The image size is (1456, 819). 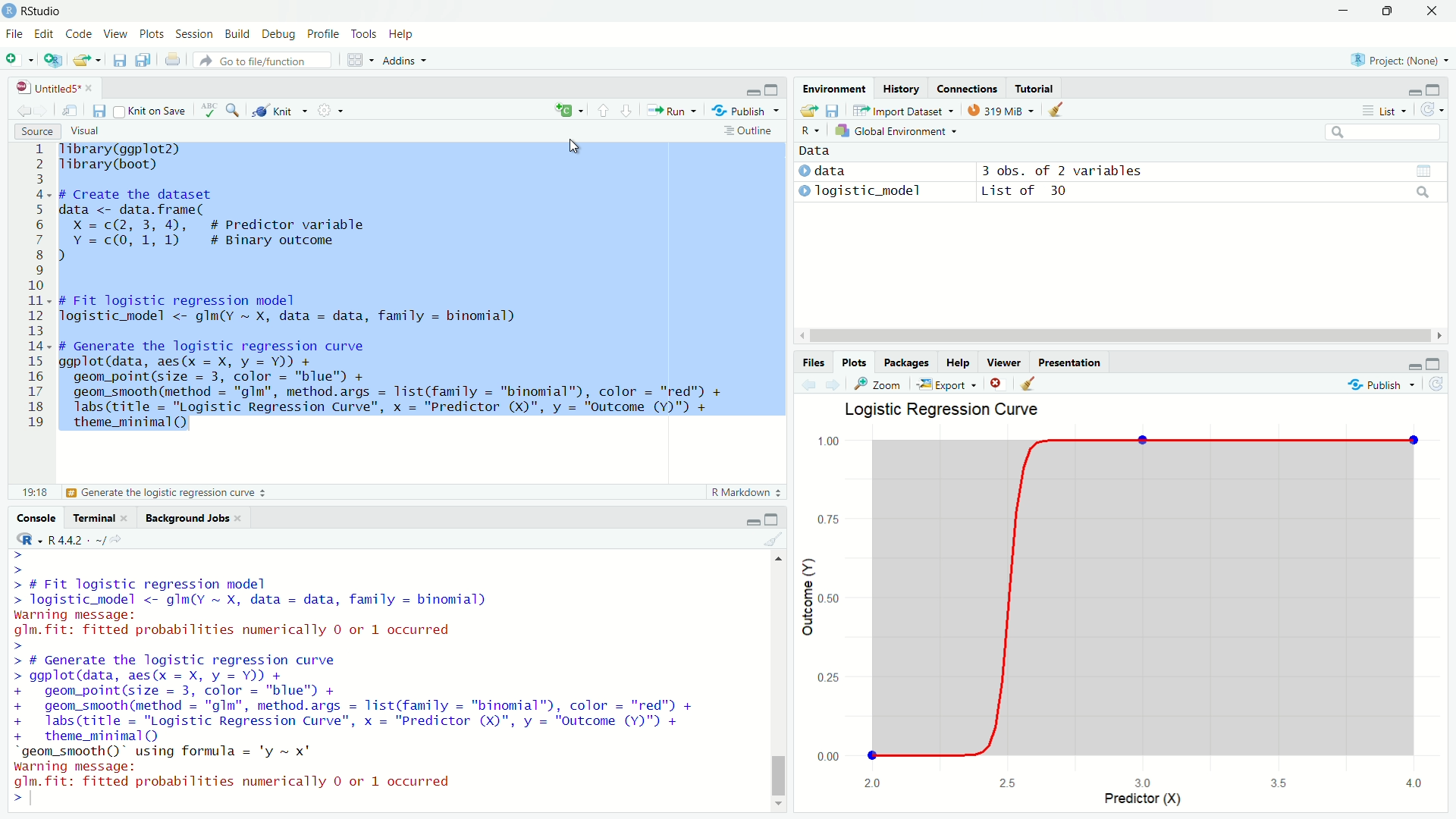 I want to click on data, so click(x=830, y=171).